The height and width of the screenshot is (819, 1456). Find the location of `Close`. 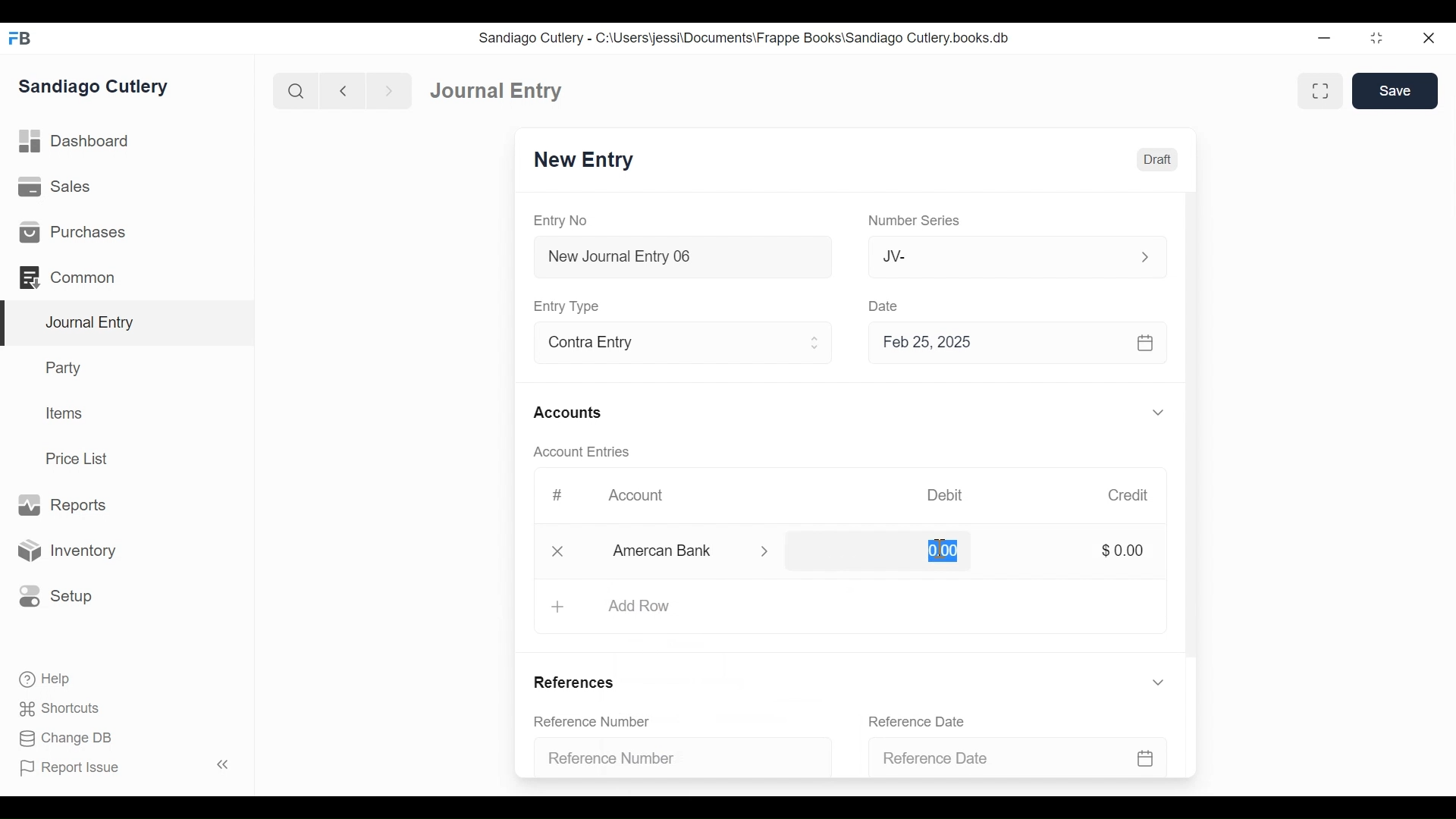

Close is located at coordinates (1431, 37).